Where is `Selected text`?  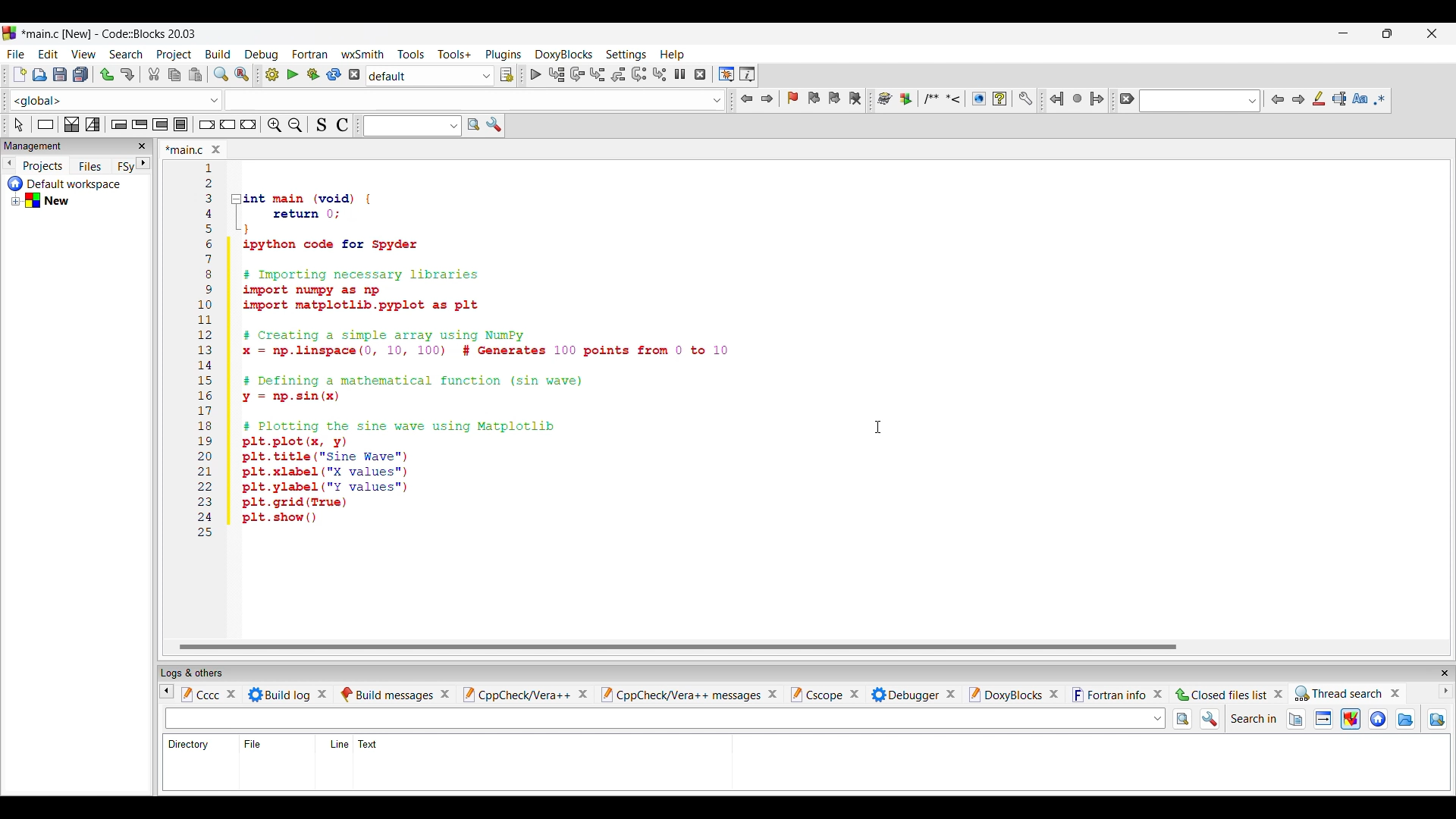 Selected text is located at coordinates (1340, 99).